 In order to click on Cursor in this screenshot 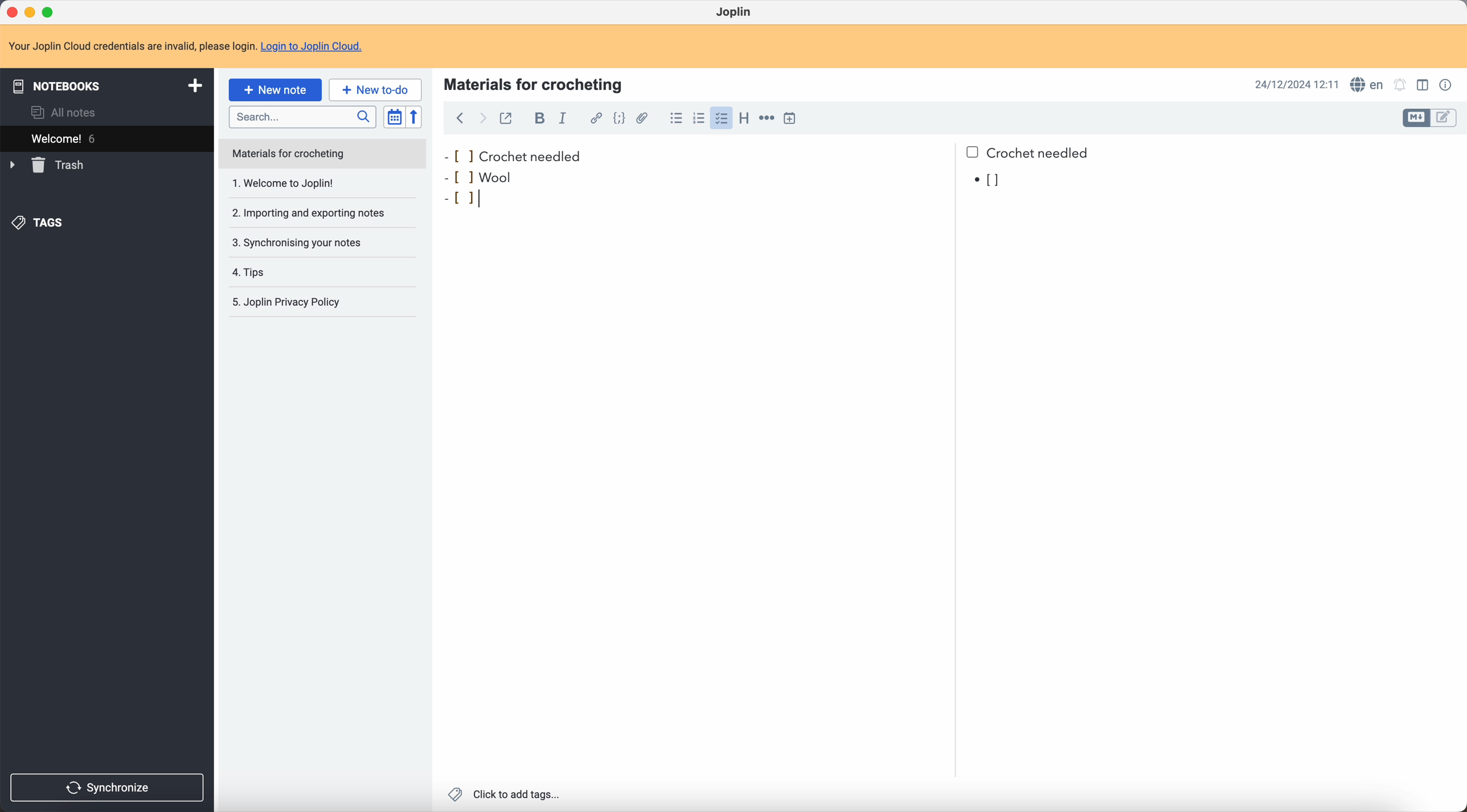, I will do `click(489, 198)`.